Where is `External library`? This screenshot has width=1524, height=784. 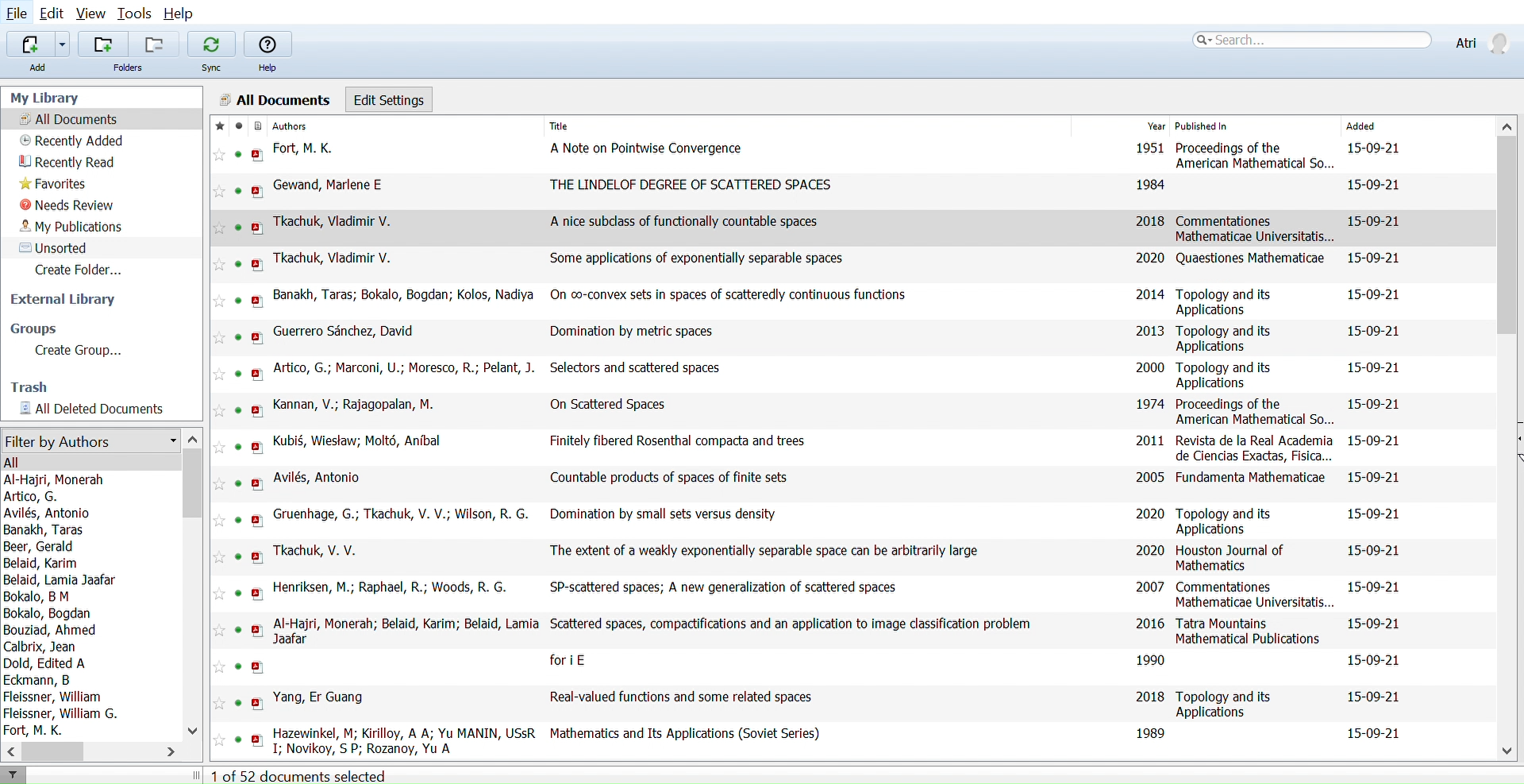 External library is located at coordinates (63, 300).